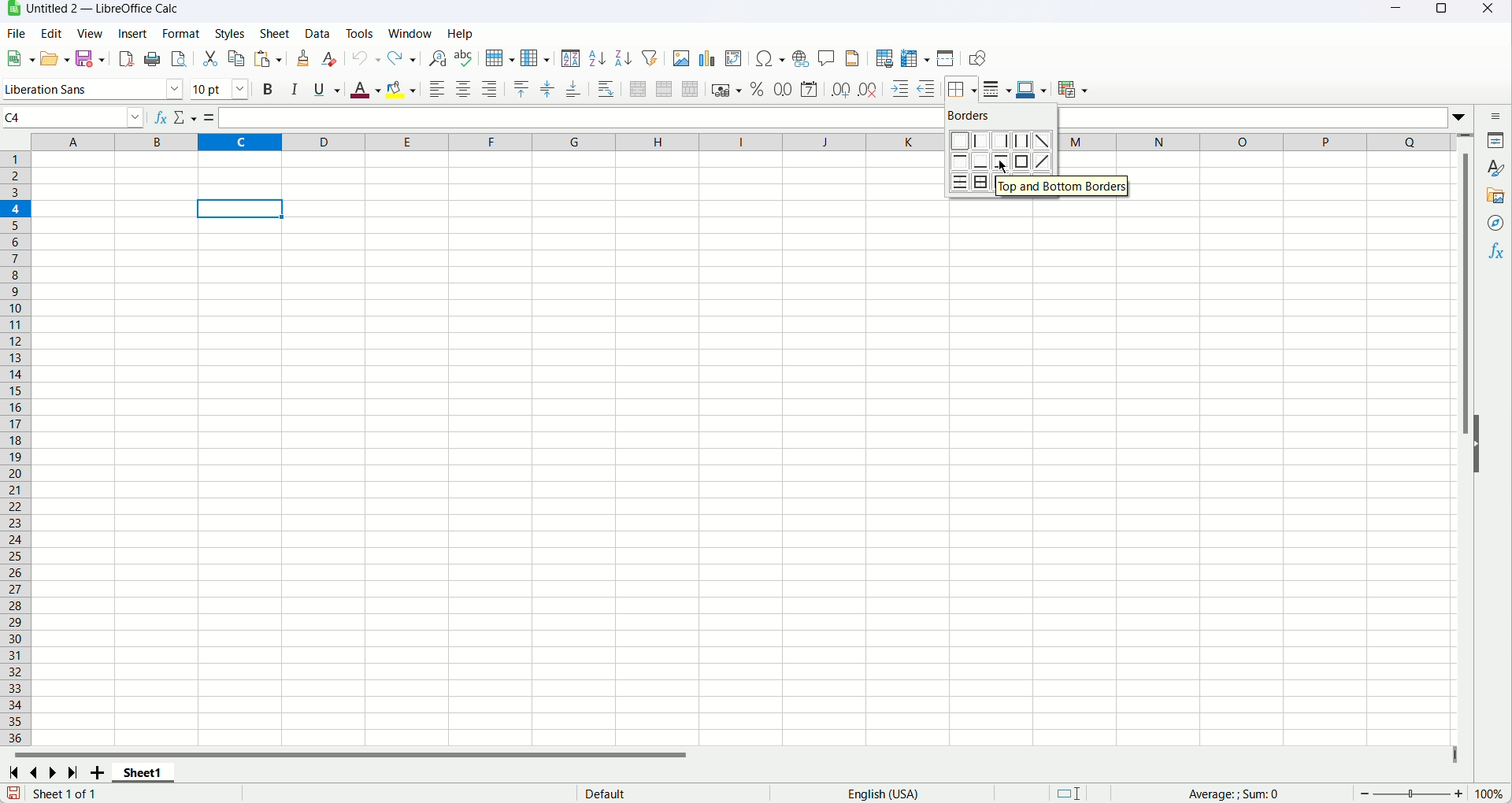 The height and width of the screenshot is (803, 1512). What do you see at coordinates (64, 794) in the screenshot?
I see `Text` at bounding box center [64, 794].